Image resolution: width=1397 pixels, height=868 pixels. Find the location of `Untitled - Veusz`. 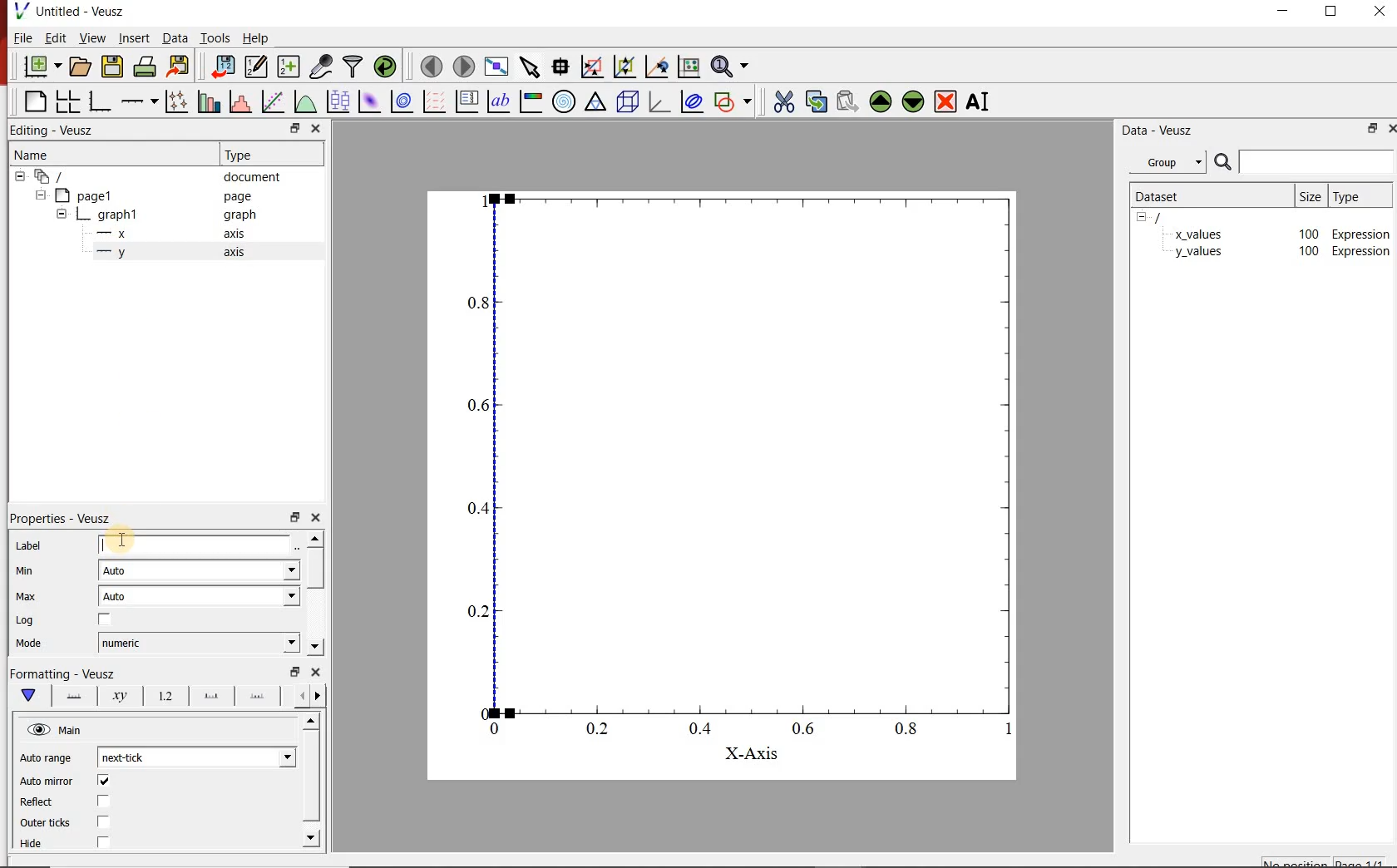

Untitled - Veusz is located at coordinates (81, 11).